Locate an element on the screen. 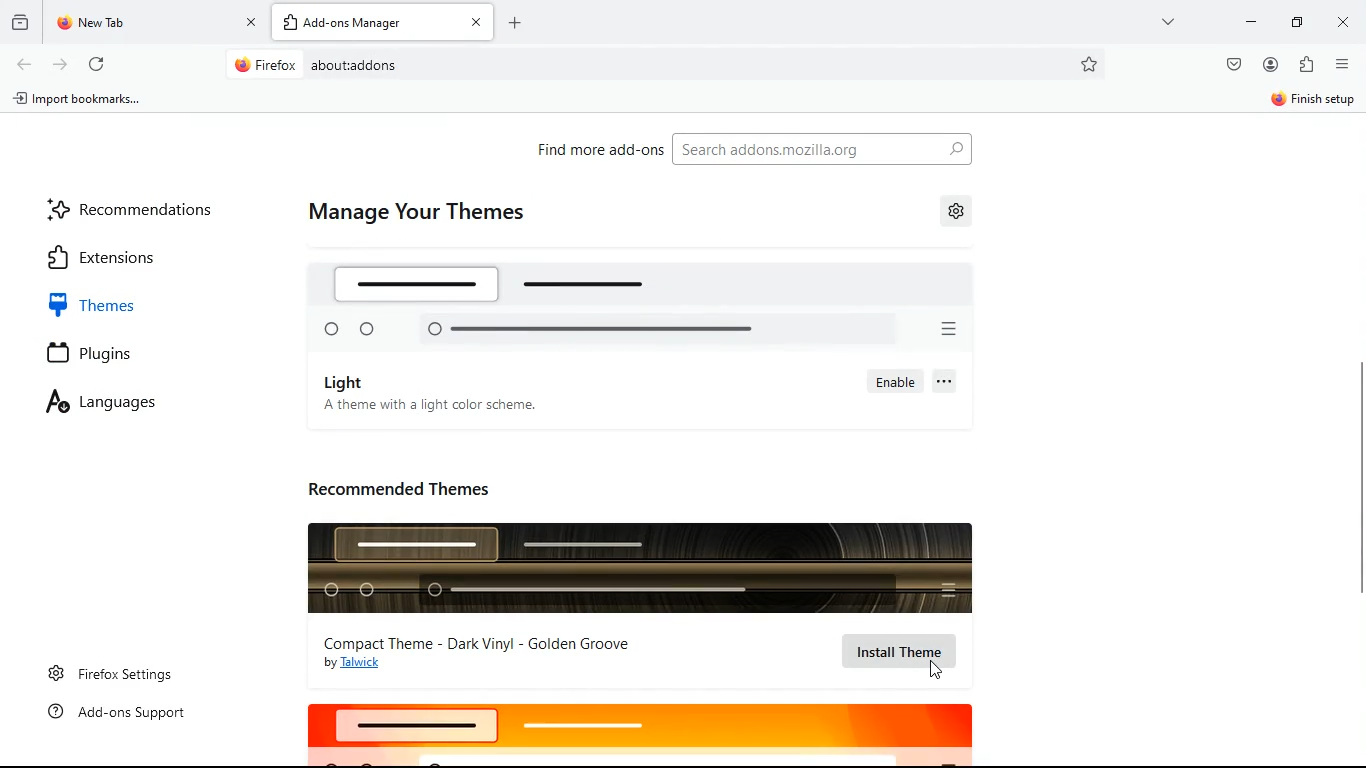 The width and height of the screenshot is (1366, 768). find more add-ons is located at coordinates (593, 149).